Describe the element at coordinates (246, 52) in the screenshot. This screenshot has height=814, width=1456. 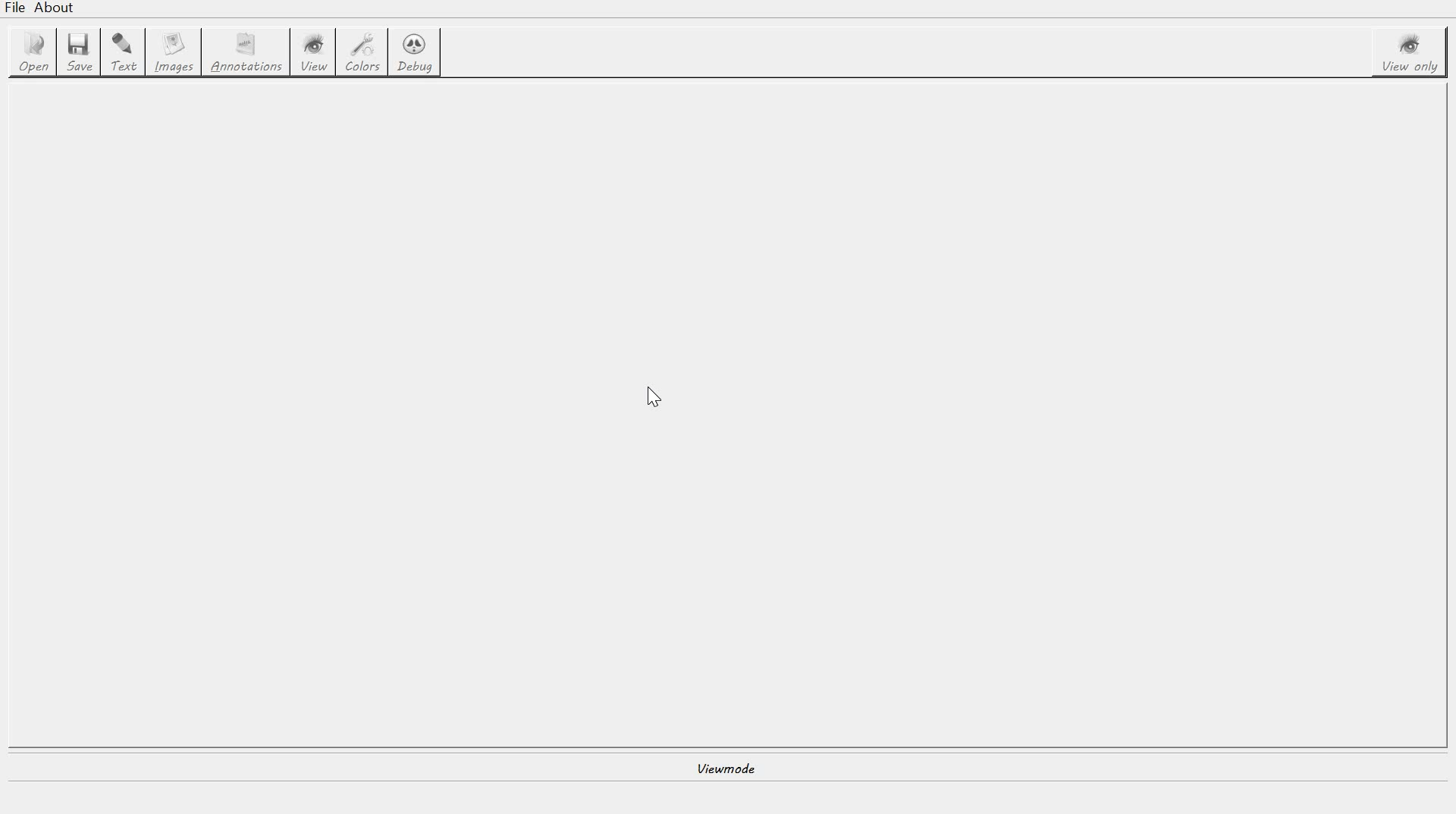
I see `annotations` at that location.